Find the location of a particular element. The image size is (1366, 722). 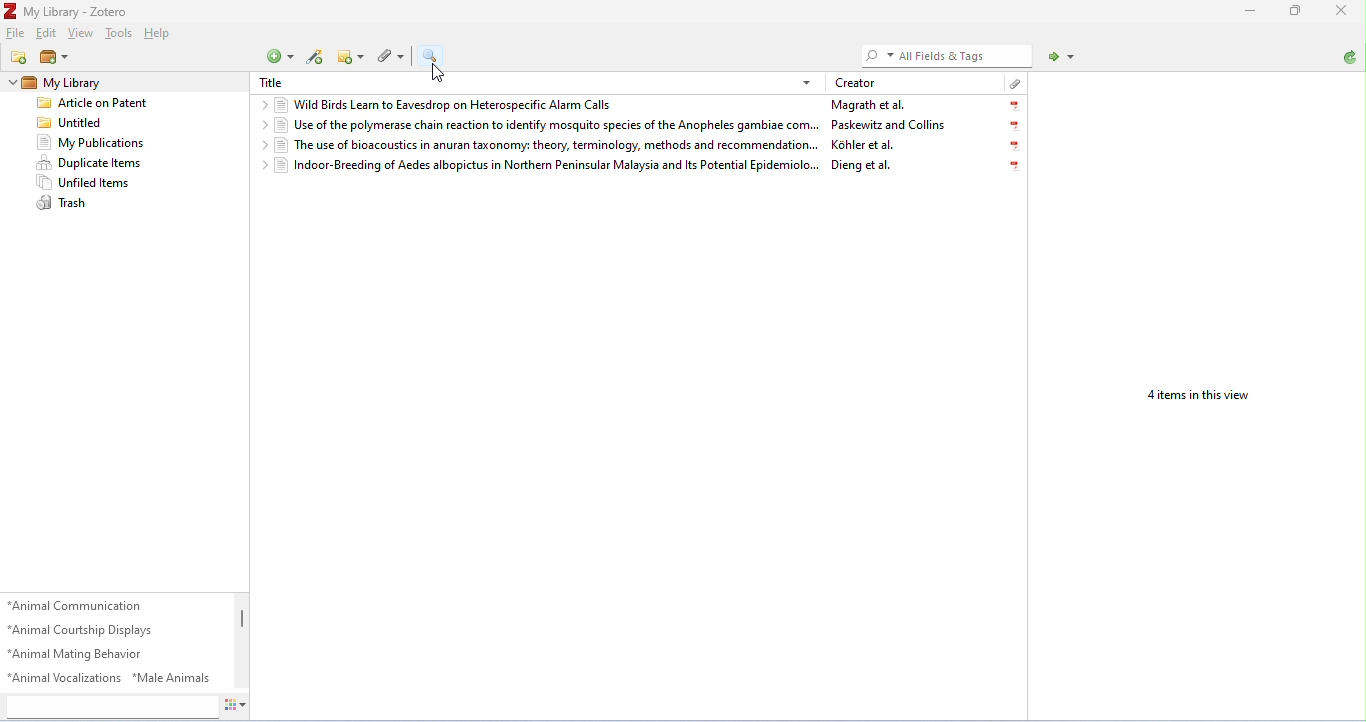

Title is located at coordinates (275, 81).